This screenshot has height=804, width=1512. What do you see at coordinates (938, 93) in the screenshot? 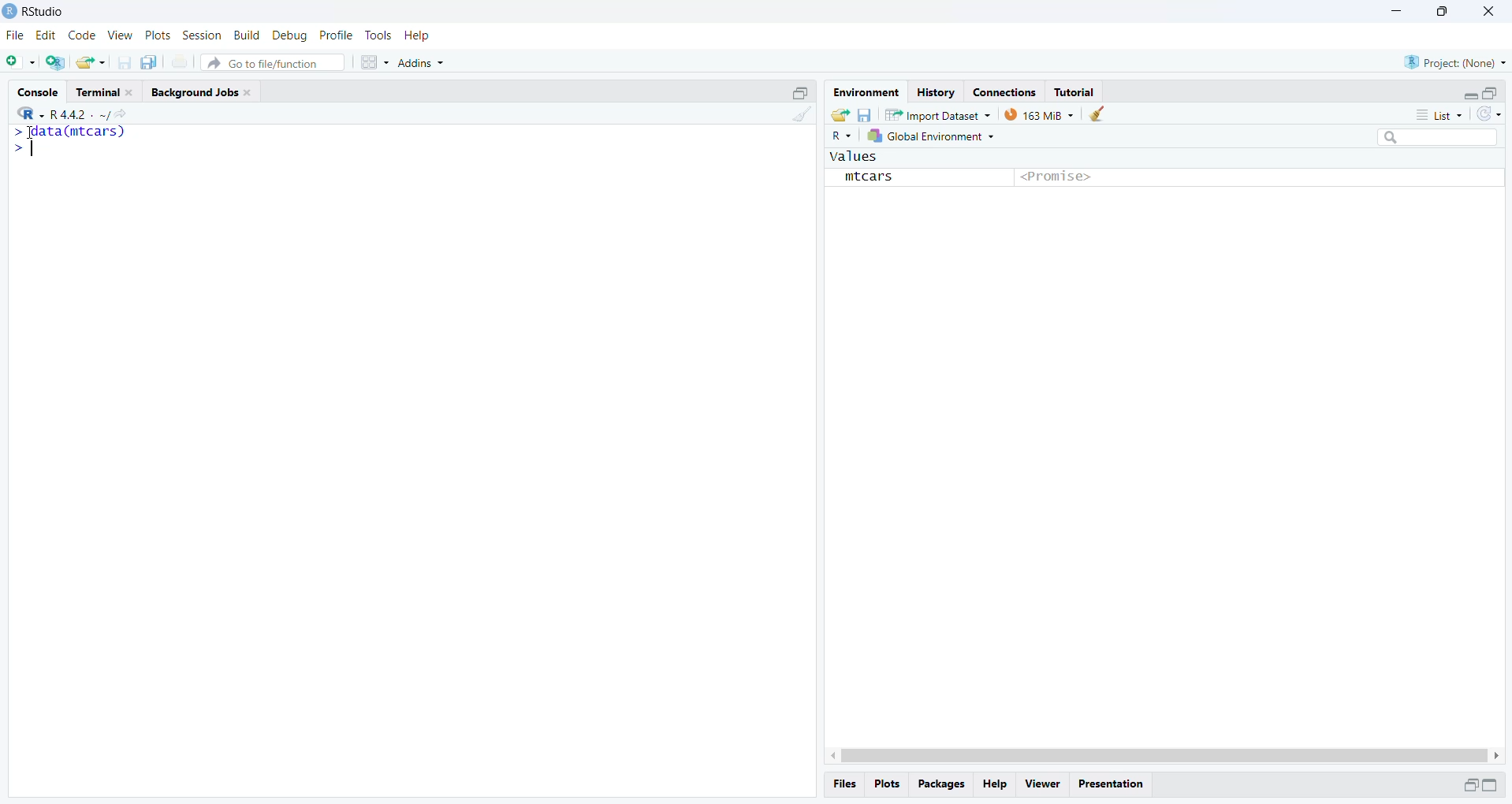
I see `History` at bounding box center [938, 93].